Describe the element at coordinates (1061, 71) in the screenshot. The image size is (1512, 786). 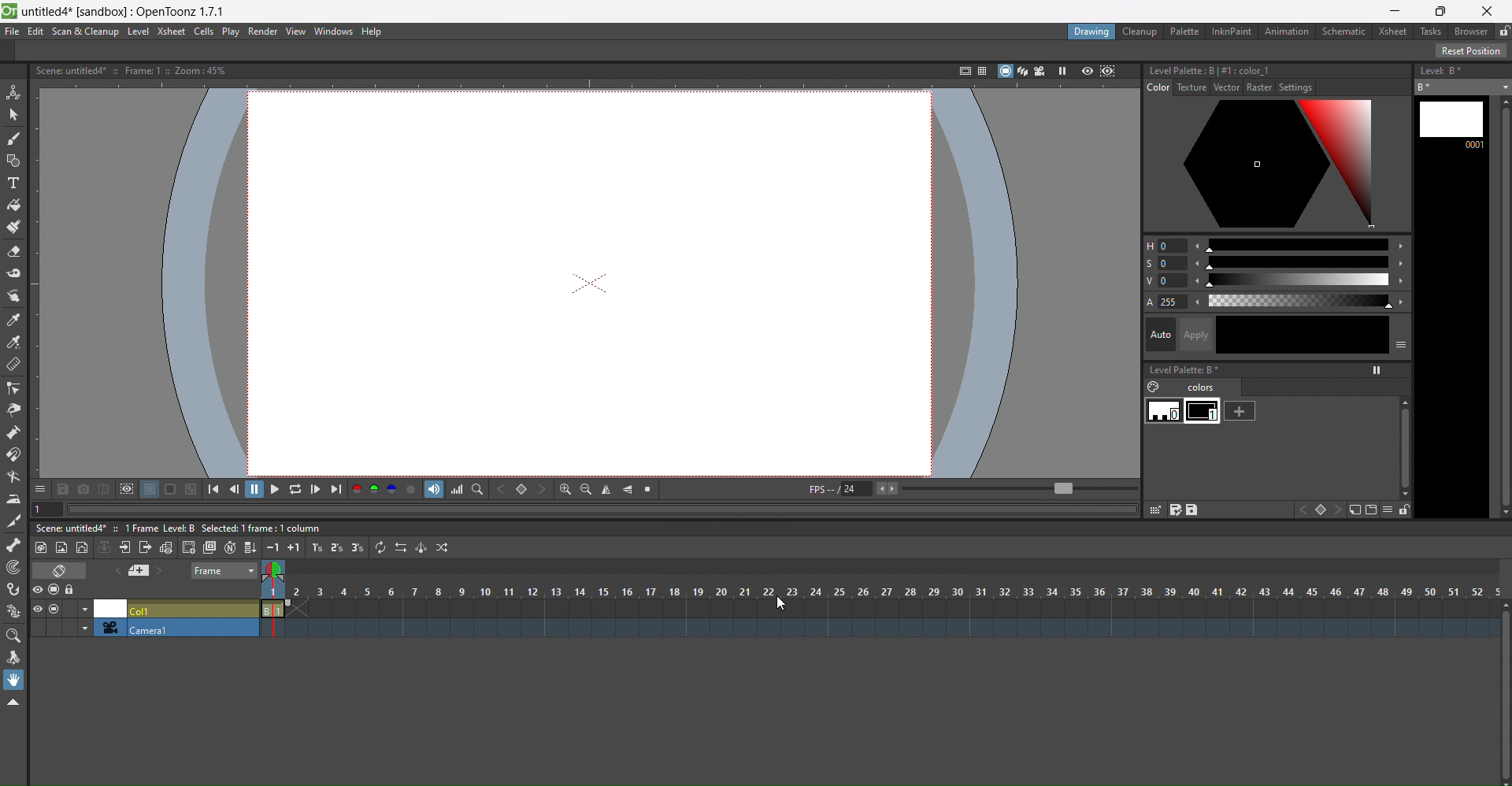
I see `freeze` at that location.